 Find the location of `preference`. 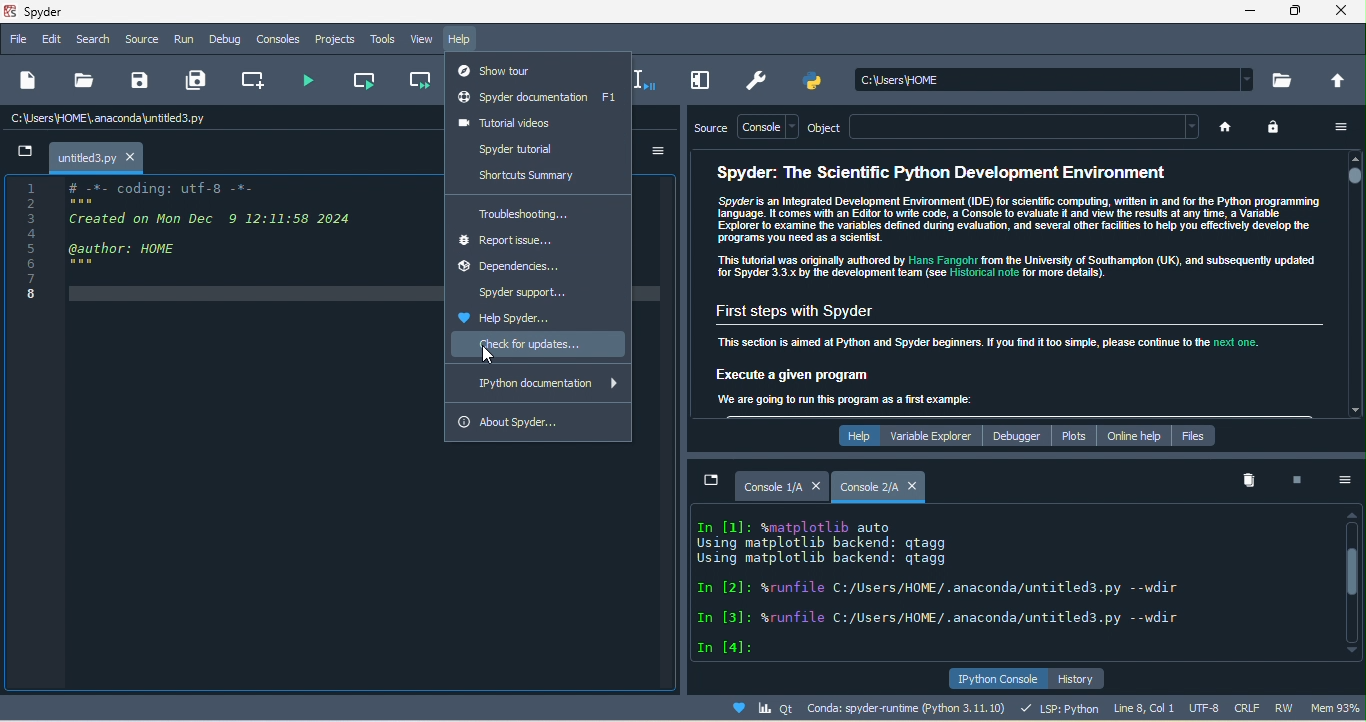

preference is located at coordinates (759, 80).